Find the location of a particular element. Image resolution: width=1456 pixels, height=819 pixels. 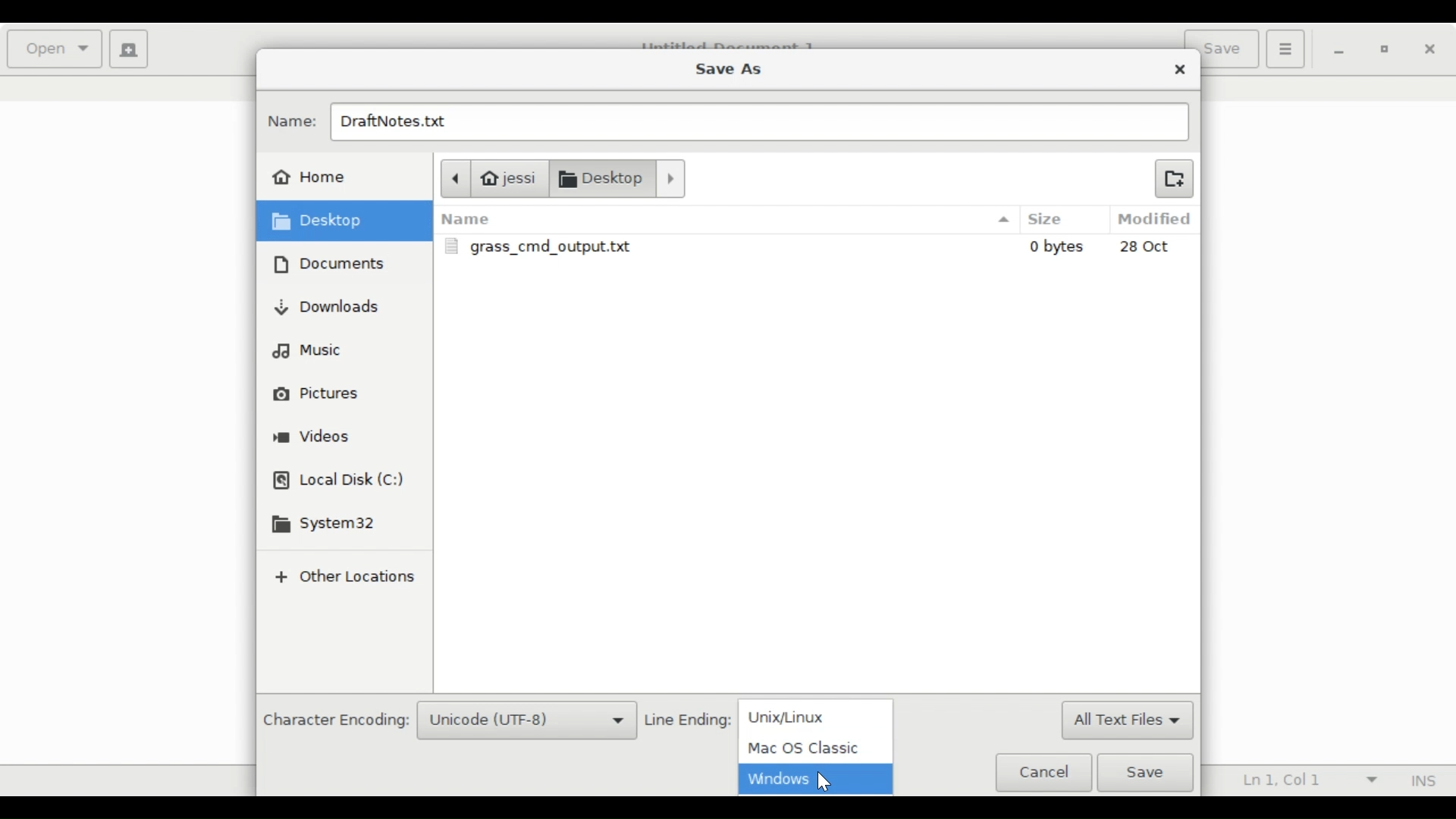

Cursor is located at coordinates (831, 780).